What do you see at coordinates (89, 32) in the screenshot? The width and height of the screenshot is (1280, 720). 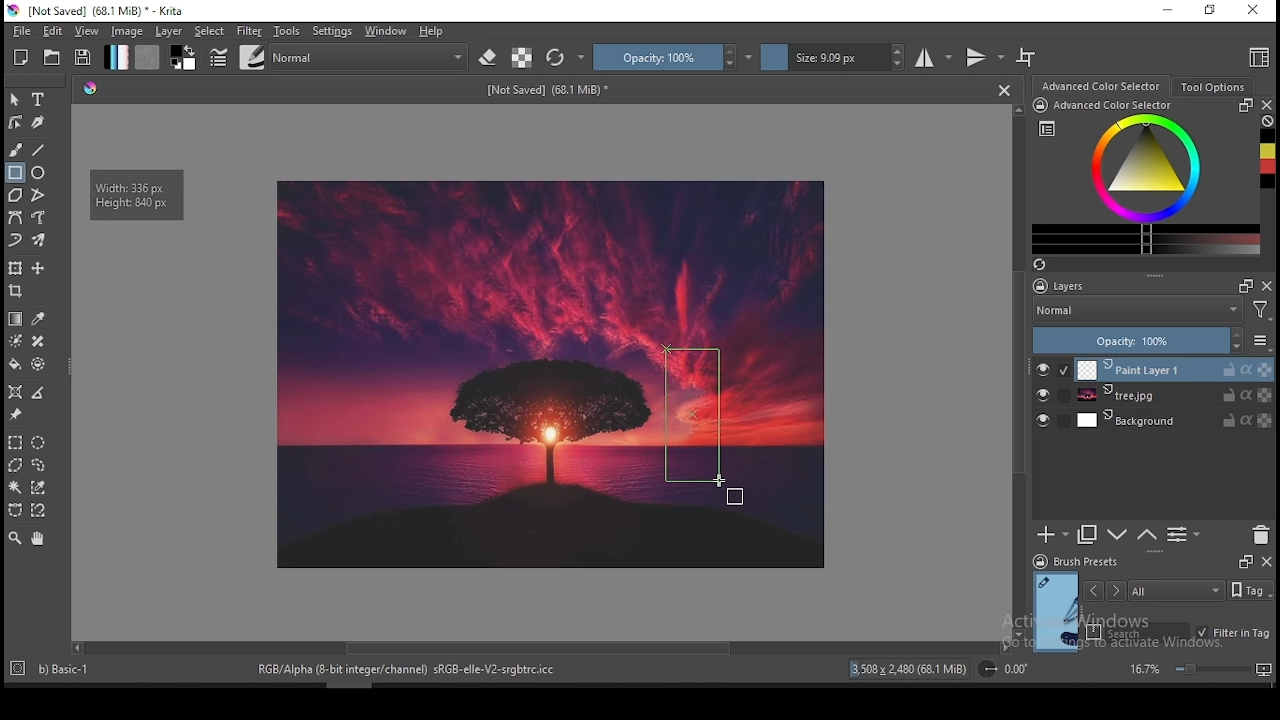 I see `view` at bounding box center [89, 32].